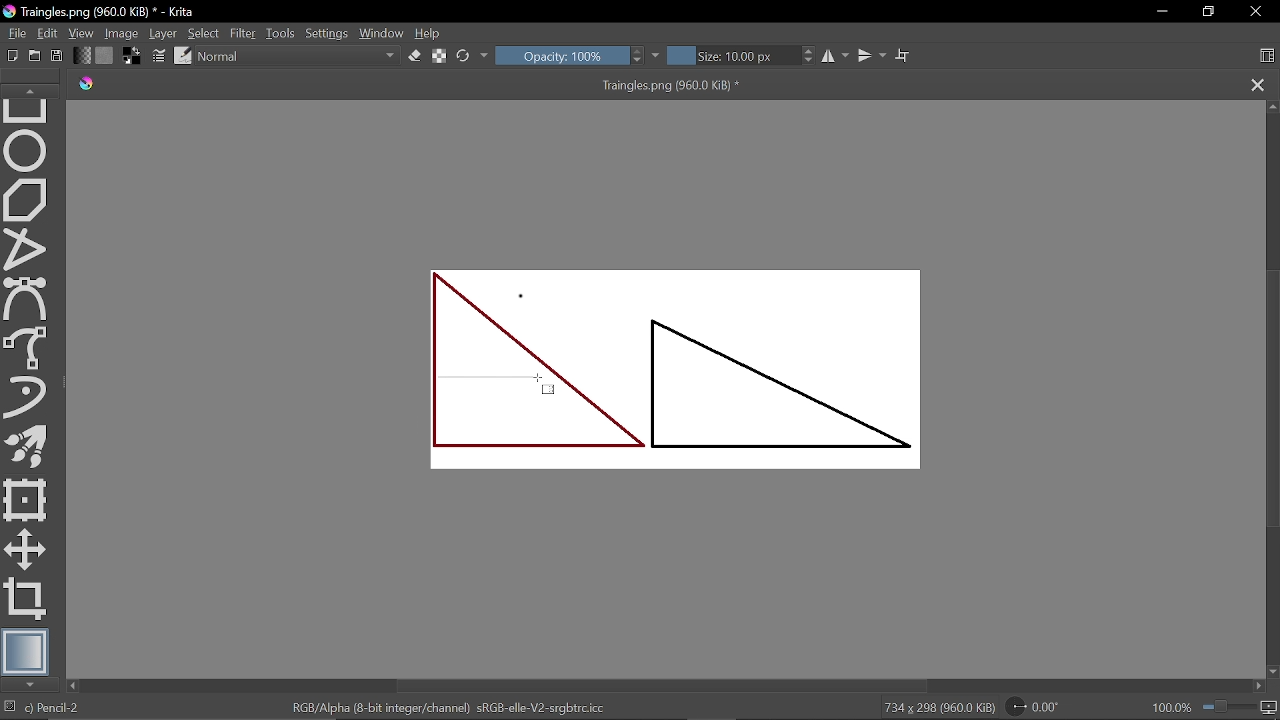  Describe the element at coordinates (8, 708) in the screenshot. I see `No selection ` at that location.